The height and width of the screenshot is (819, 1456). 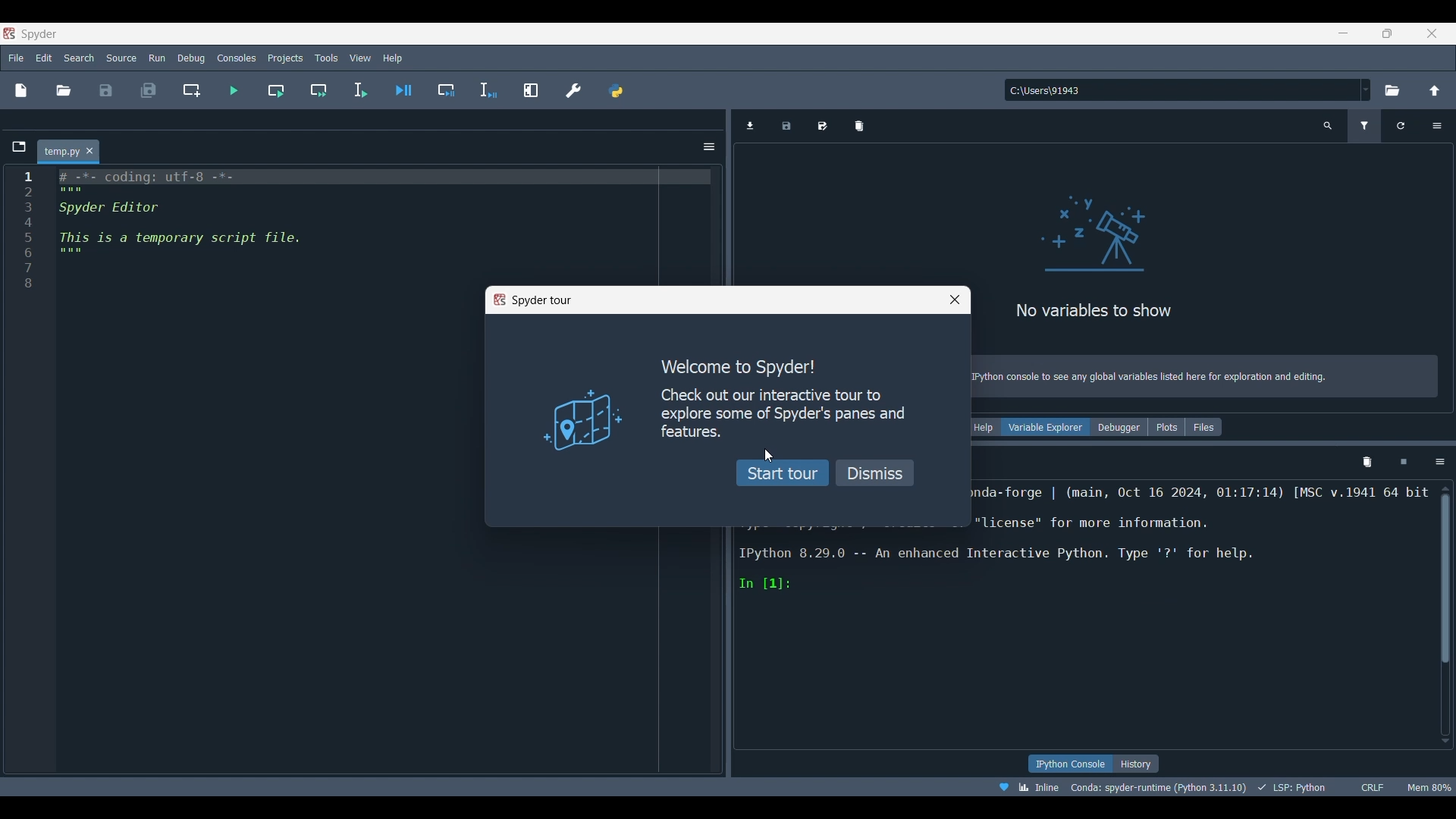 What do you see at coordinates (981, 427) in the screenshot?
I see `help` at bounding box center [981, 427].